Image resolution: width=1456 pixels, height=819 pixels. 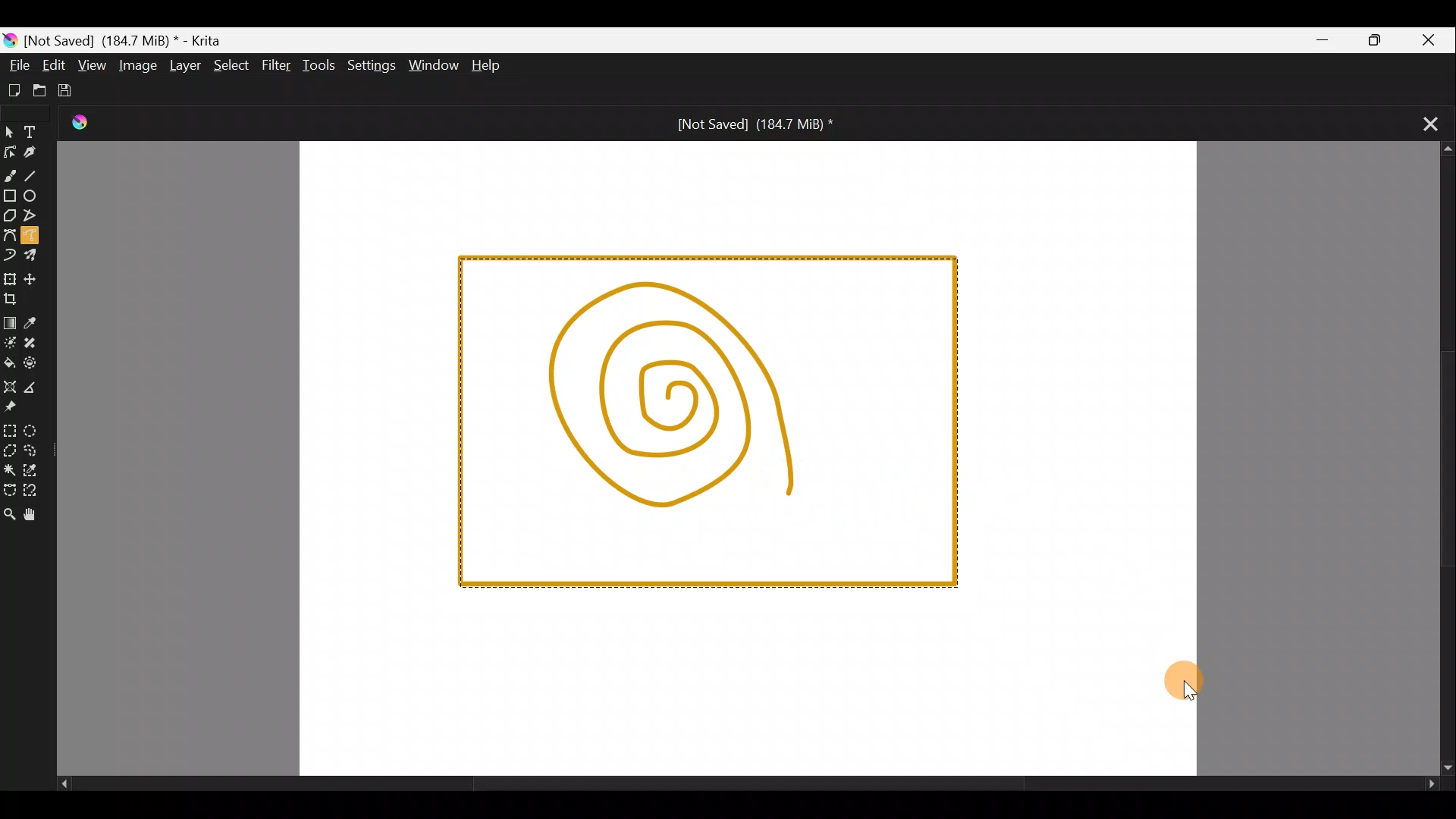 I want to click on Krita Logo, so click(x=78, y=118).